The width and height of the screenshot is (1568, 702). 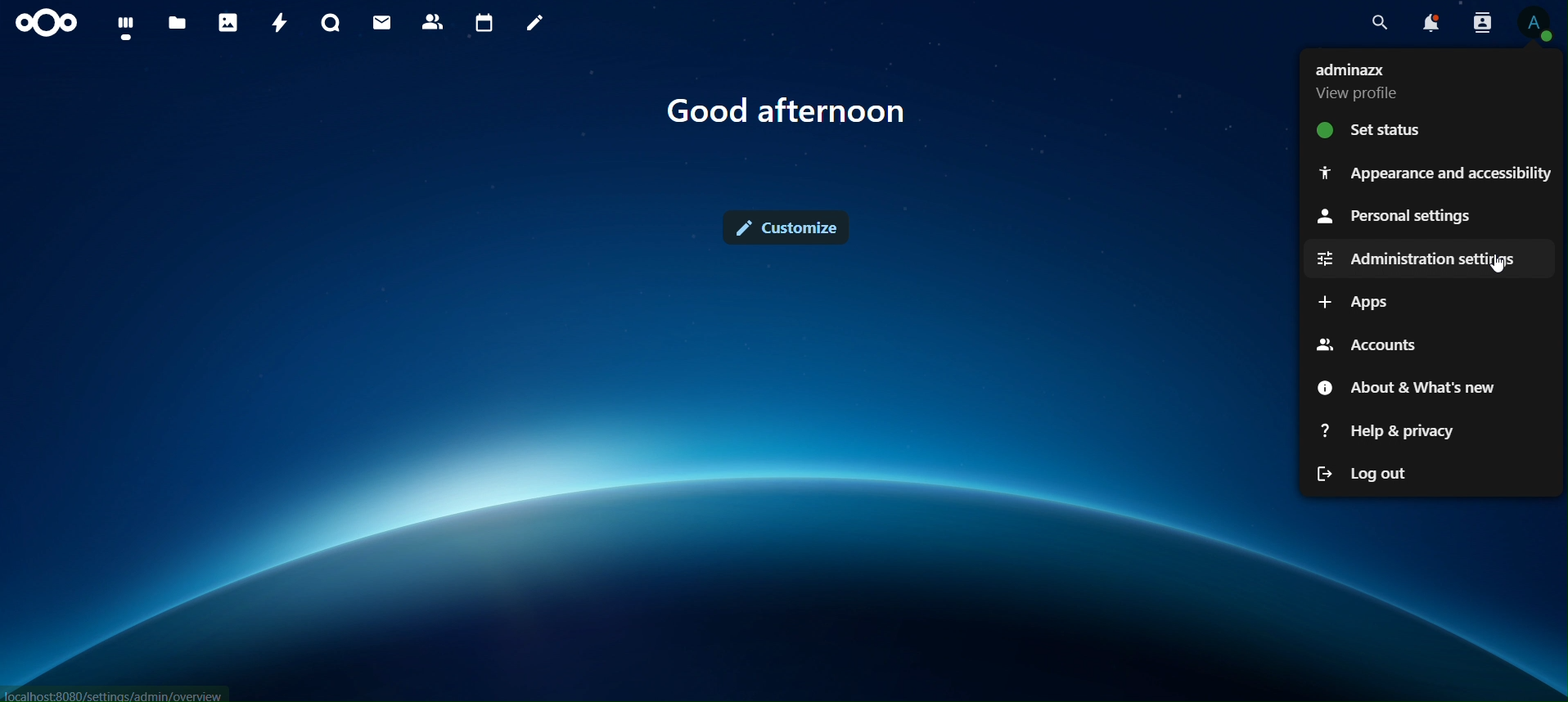 What do you see at coordinates (1476, 22) in the screenshot?
I see `search contacts` at bounding box center [1476, 22].